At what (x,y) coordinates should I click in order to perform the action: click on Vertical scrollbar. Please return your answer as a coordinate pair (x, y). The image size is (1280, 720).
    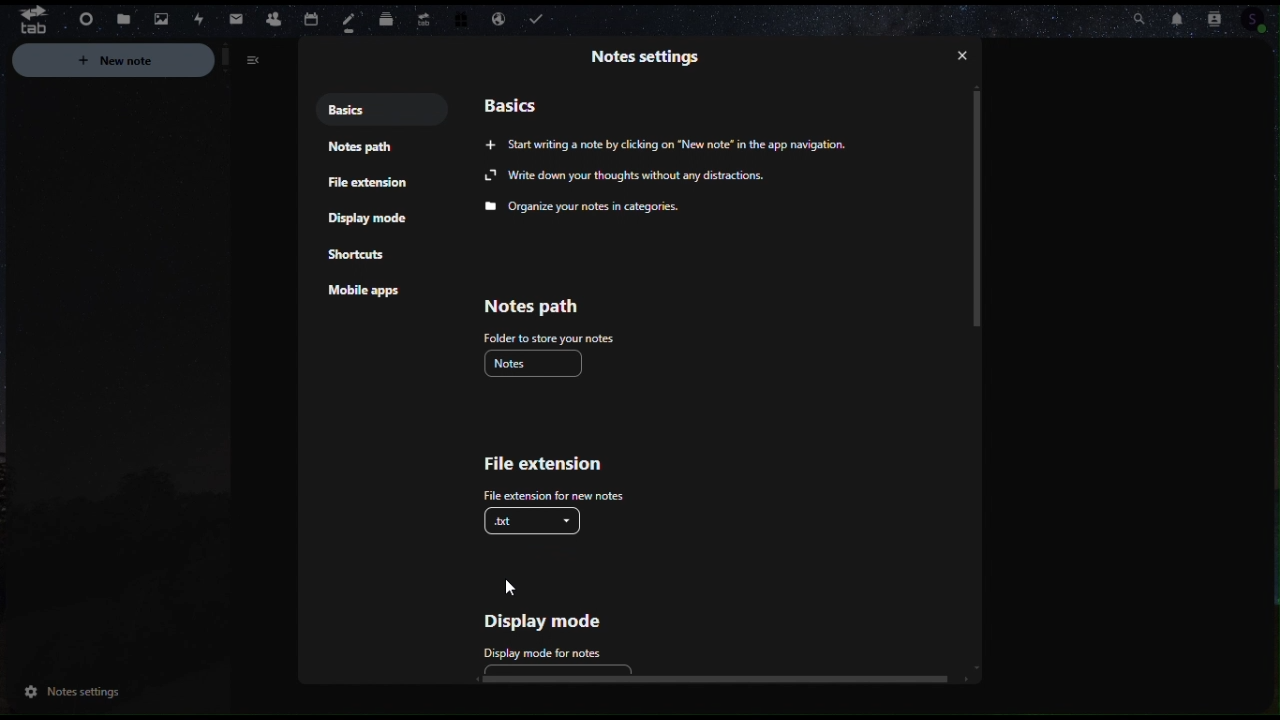
    Looking at the image, I should click on (983, 209).